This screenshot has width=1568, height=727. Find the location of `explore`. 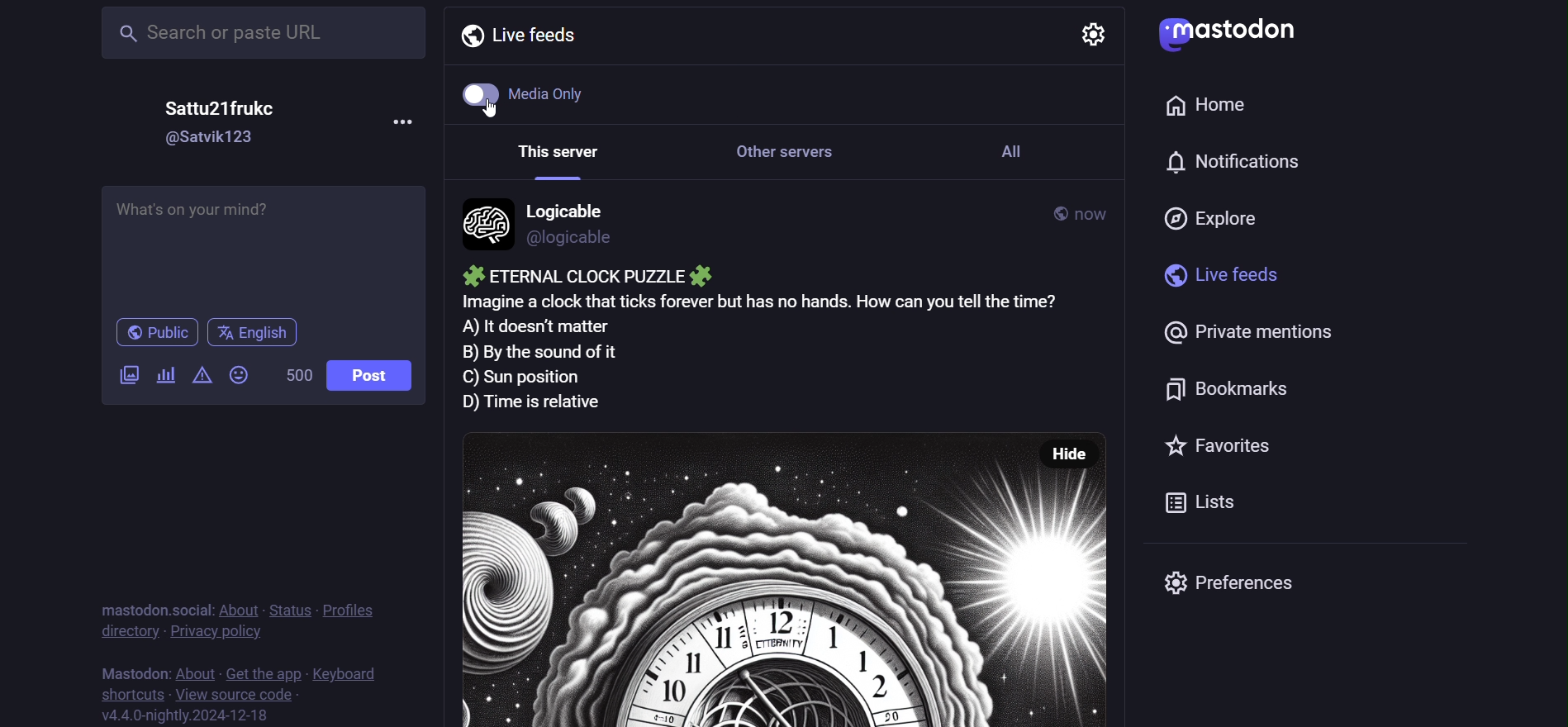

explore is located at coordinates (1218, 214).